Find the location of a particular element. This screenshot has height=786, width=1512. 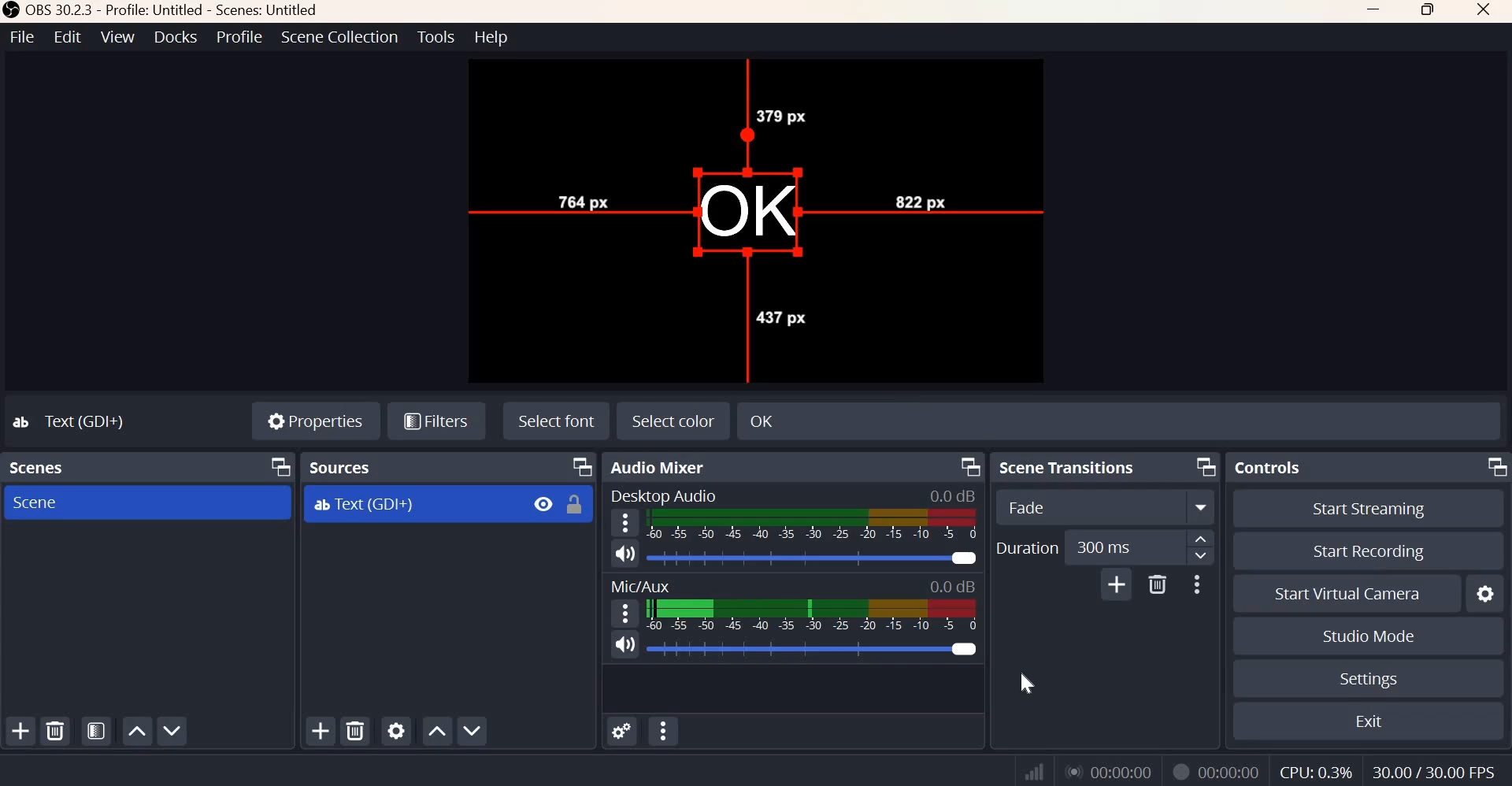

Scene is located at coordinates (39, 502).